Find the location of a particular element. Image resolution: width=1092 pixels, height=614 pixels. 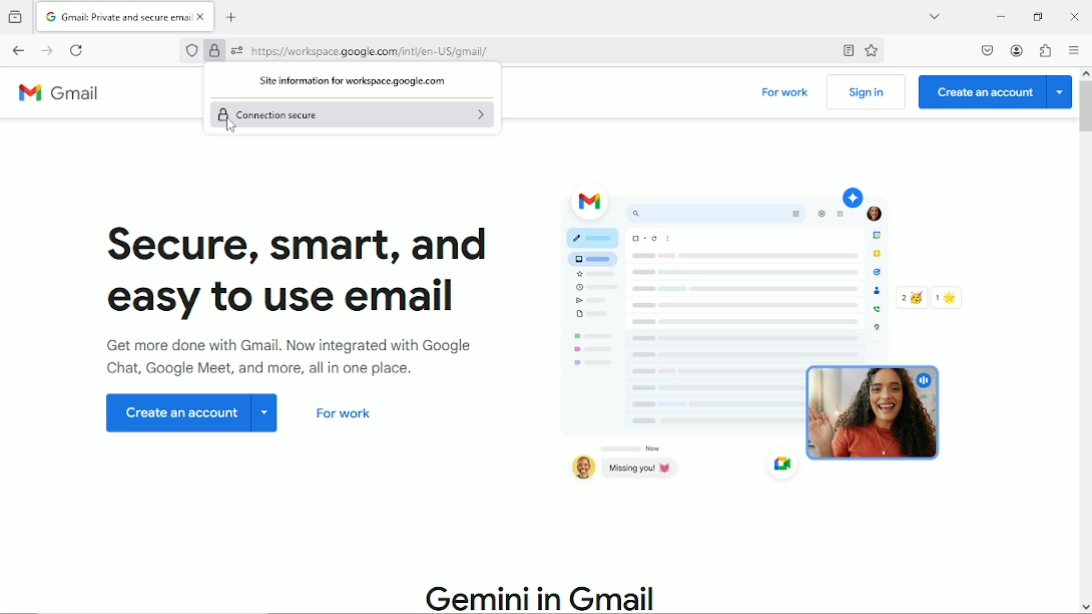

Create an account is located at coordinates (191, 412).